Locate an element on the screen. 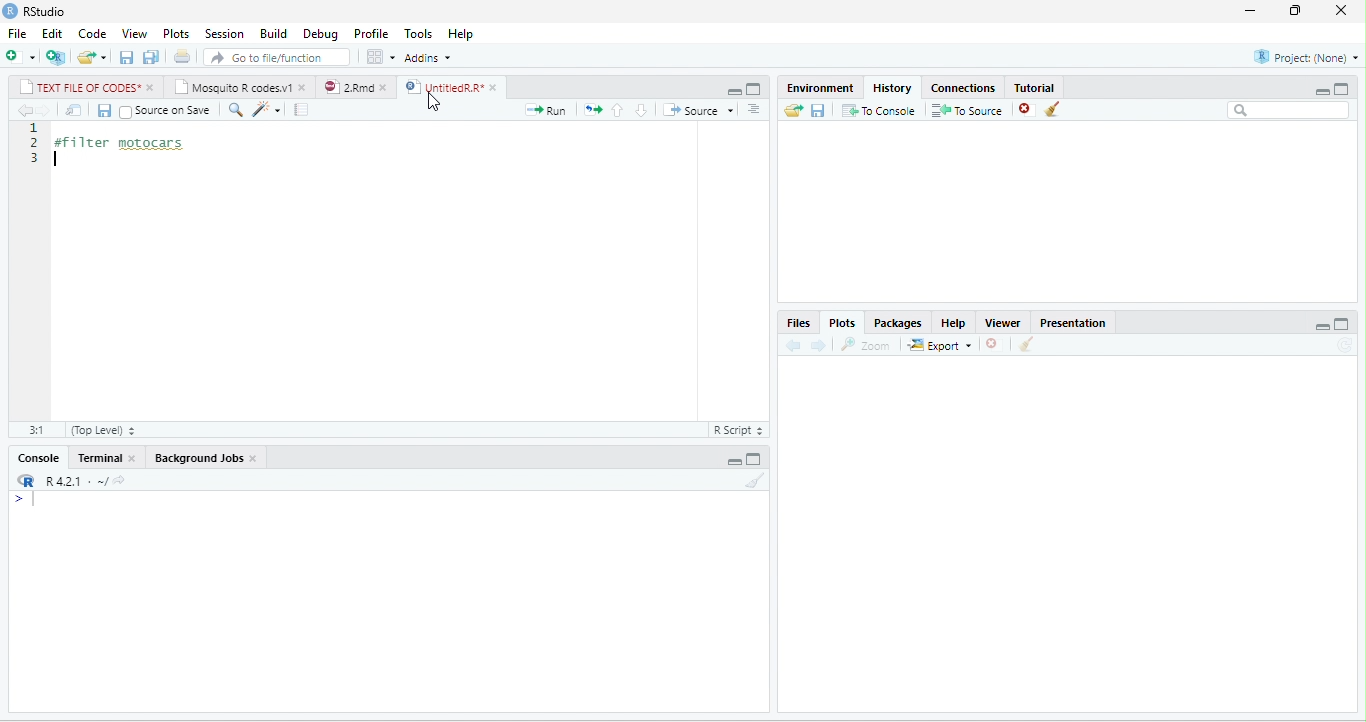  Console is located at coordinates (37, 458).